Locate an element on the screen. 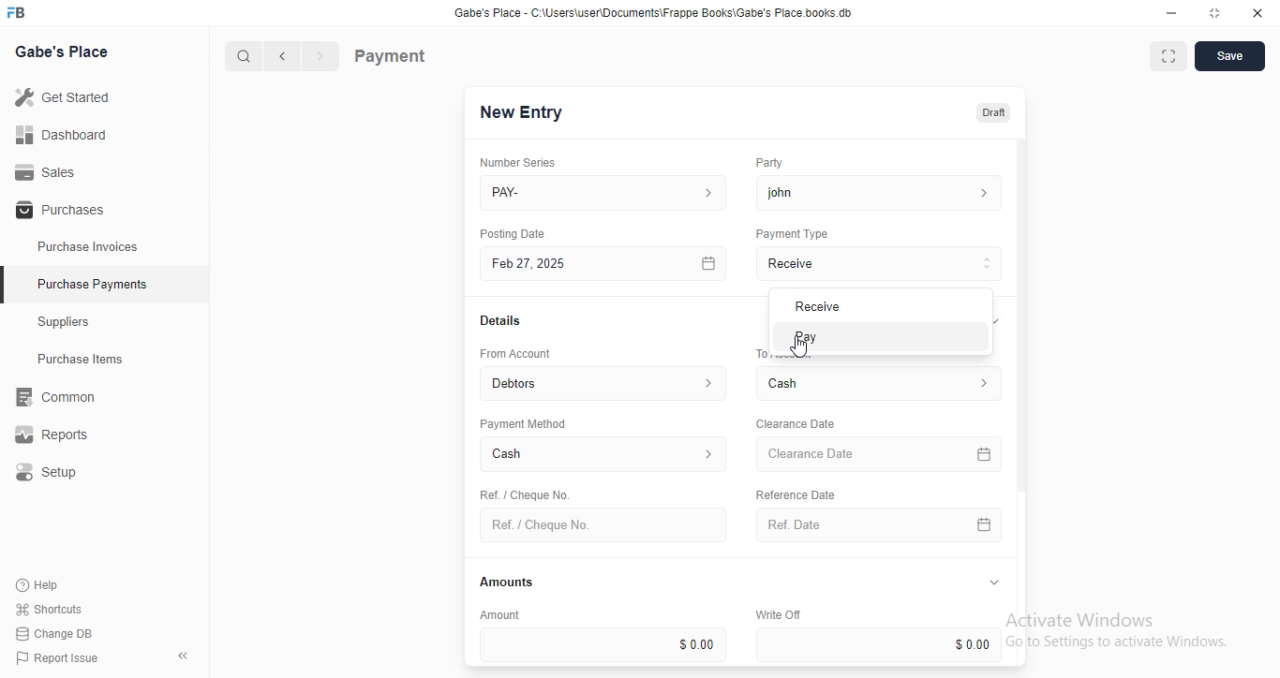 The width and height of the screenshot is (1280, 678). navigate backward is located at coordinates (286, 58).